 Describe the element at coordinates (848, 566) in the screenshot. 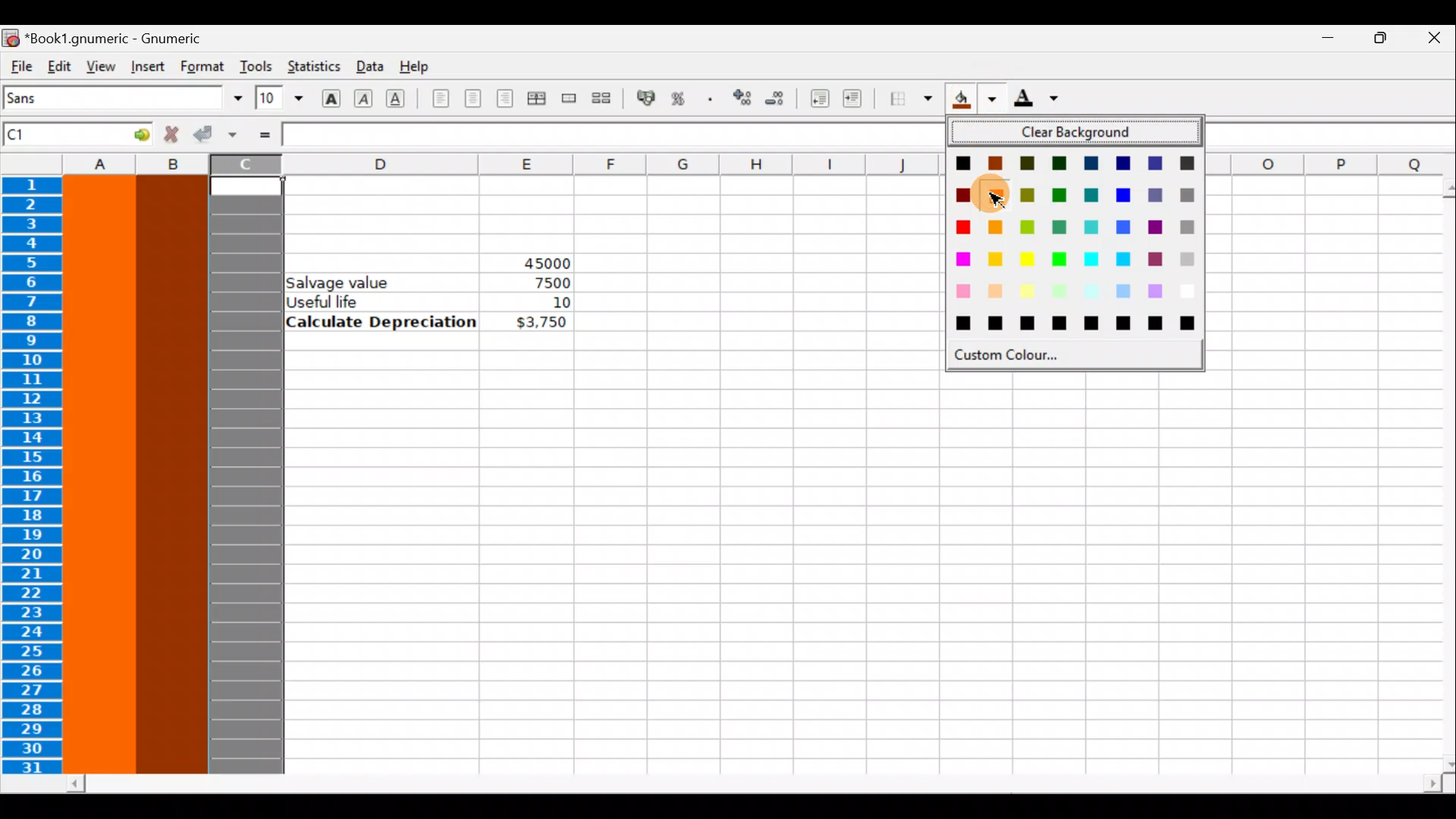

I see `Cells` at that location.